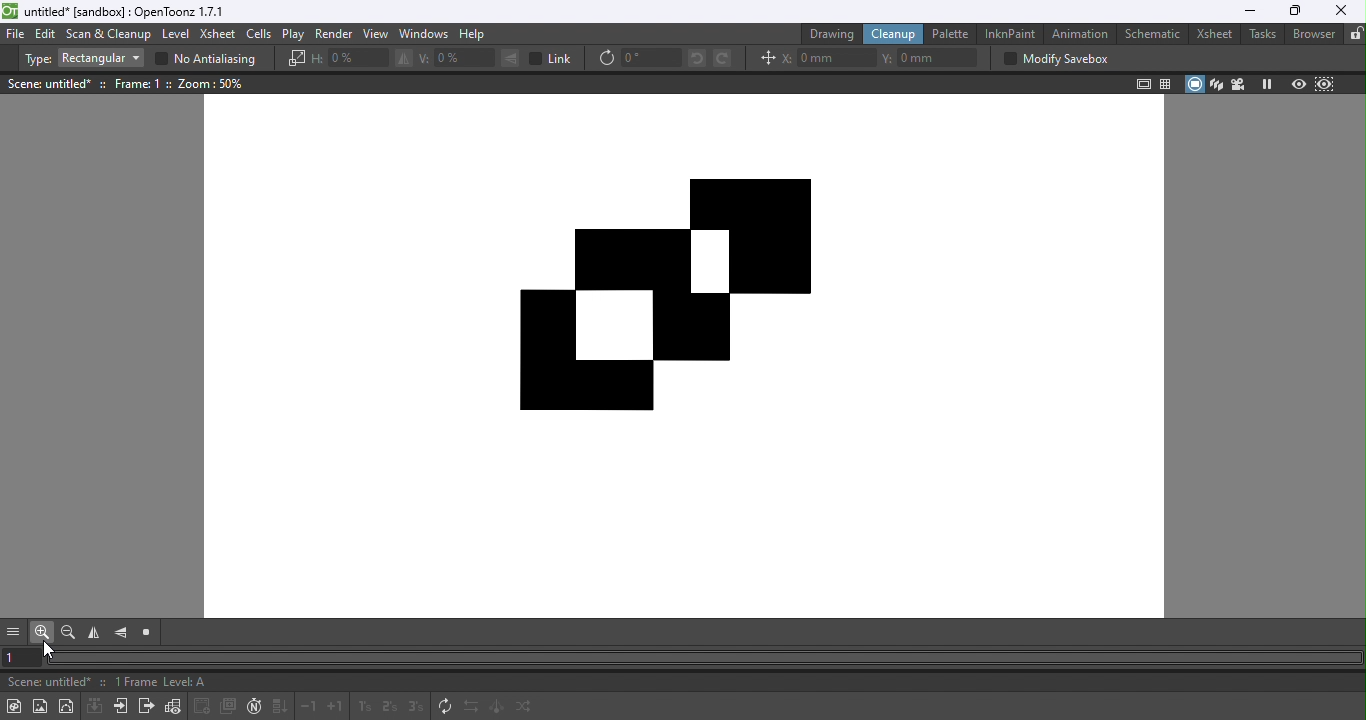 The image size is (1366, 720). What do you see at coordinates (176, 35) in the screenshot?
I see `Level` at bounding box center [176, 35].